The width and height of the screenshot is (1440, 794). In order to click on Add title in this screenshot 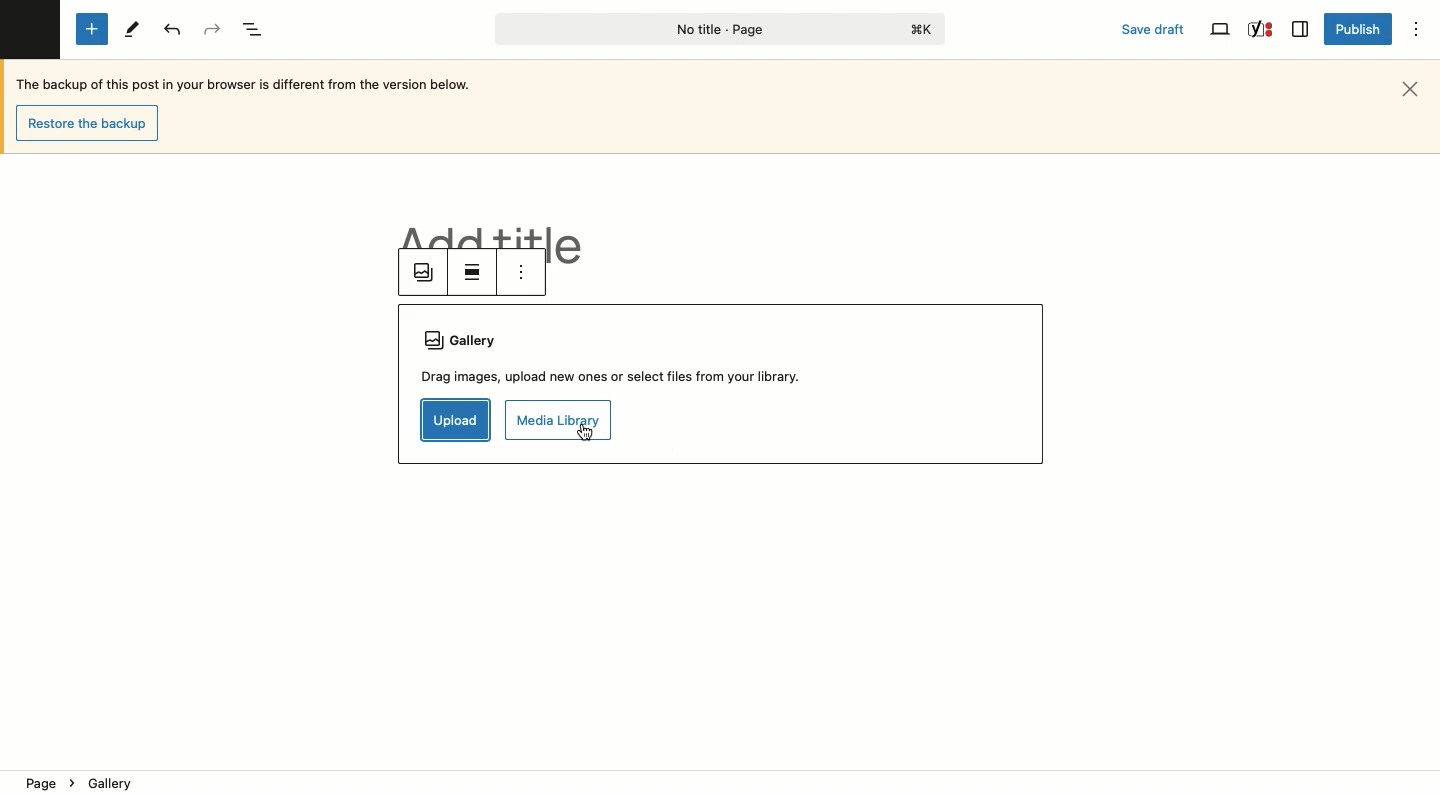, I will do `click(494, 235)`.